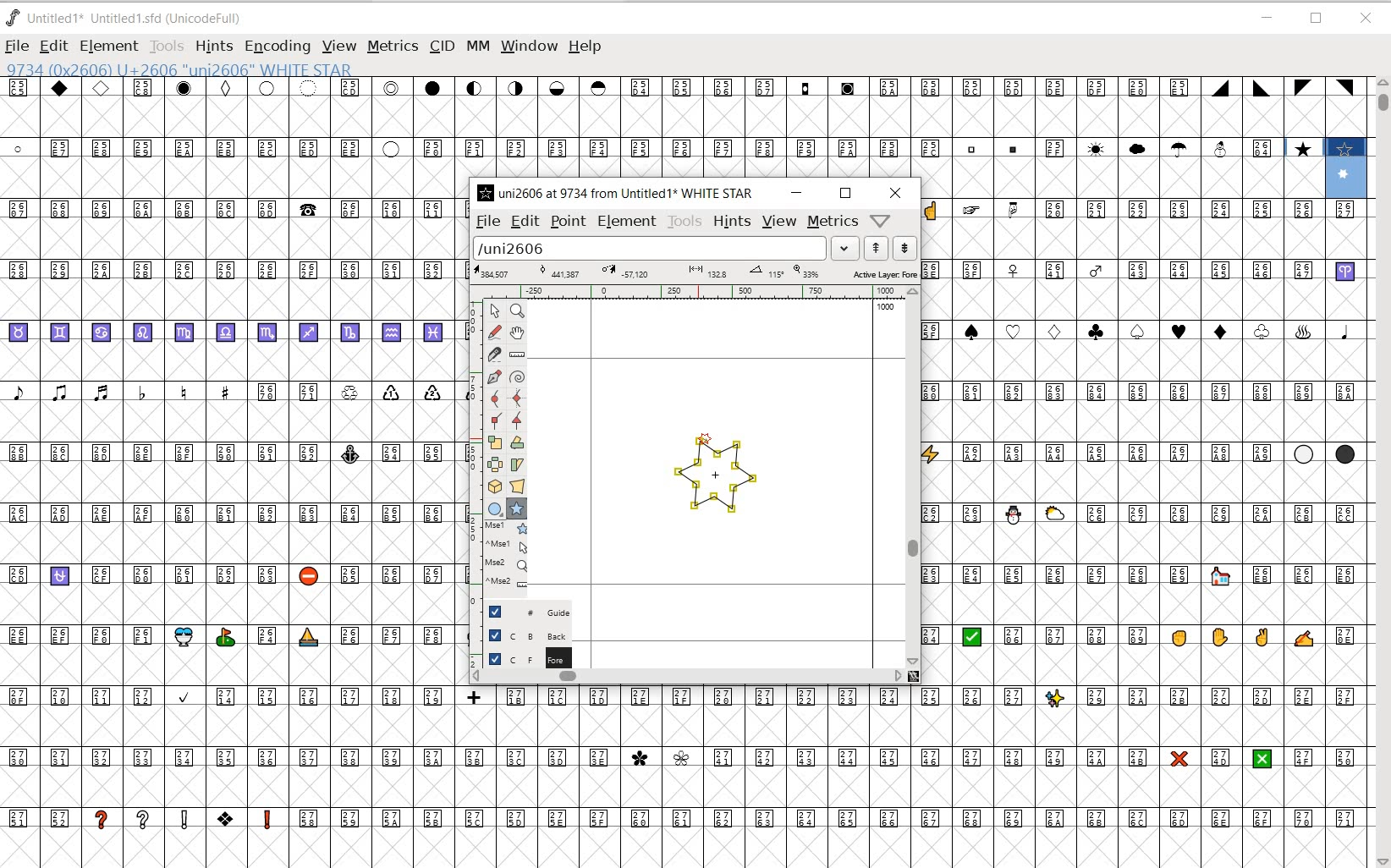 The image size is (1391, 868). I want to click on ADD A TANGENT POINT, so click(518, 421).